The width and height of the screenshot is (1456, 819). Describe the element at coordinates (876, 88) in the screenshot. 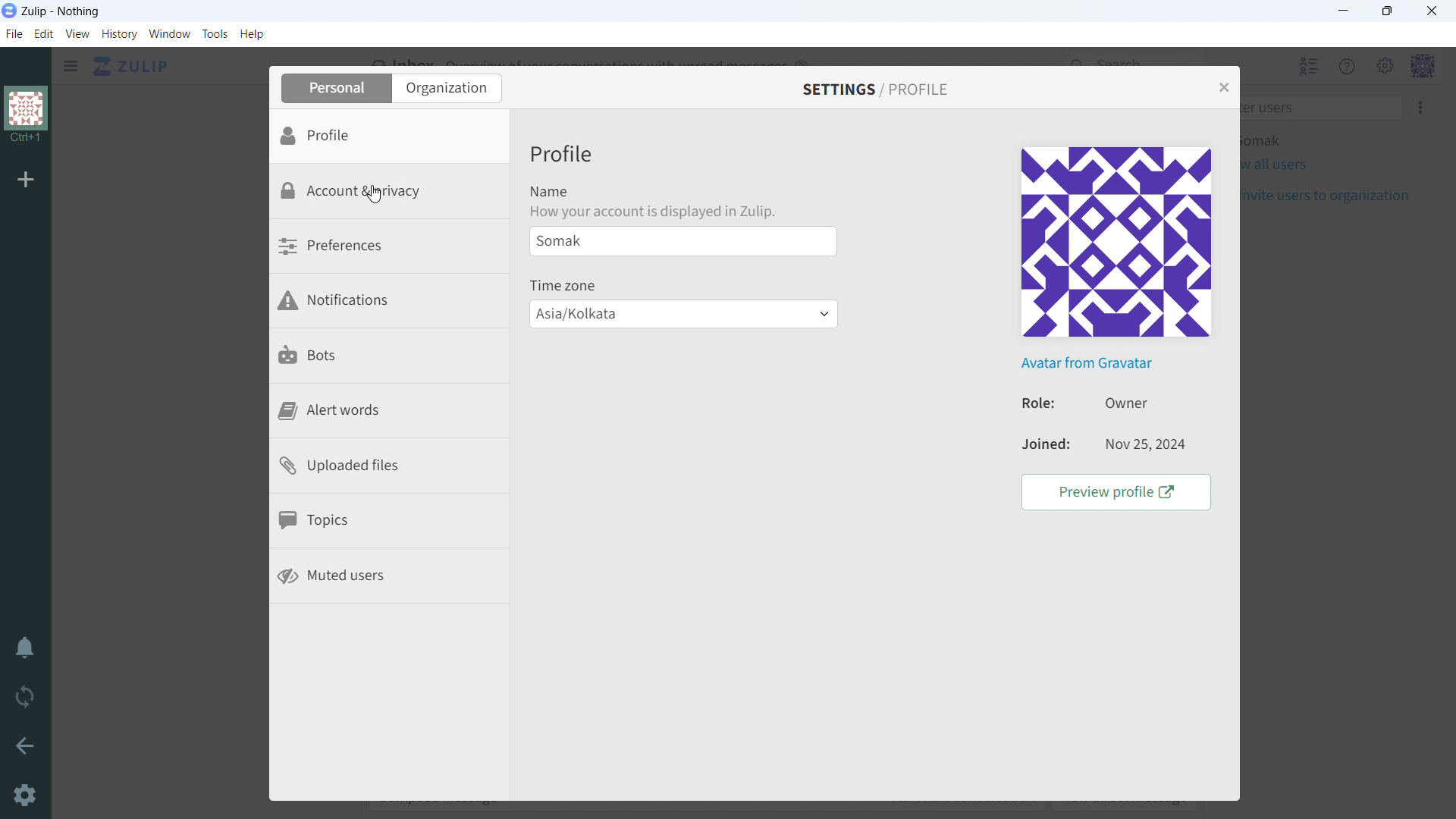

I see `settings/profile` at that location.